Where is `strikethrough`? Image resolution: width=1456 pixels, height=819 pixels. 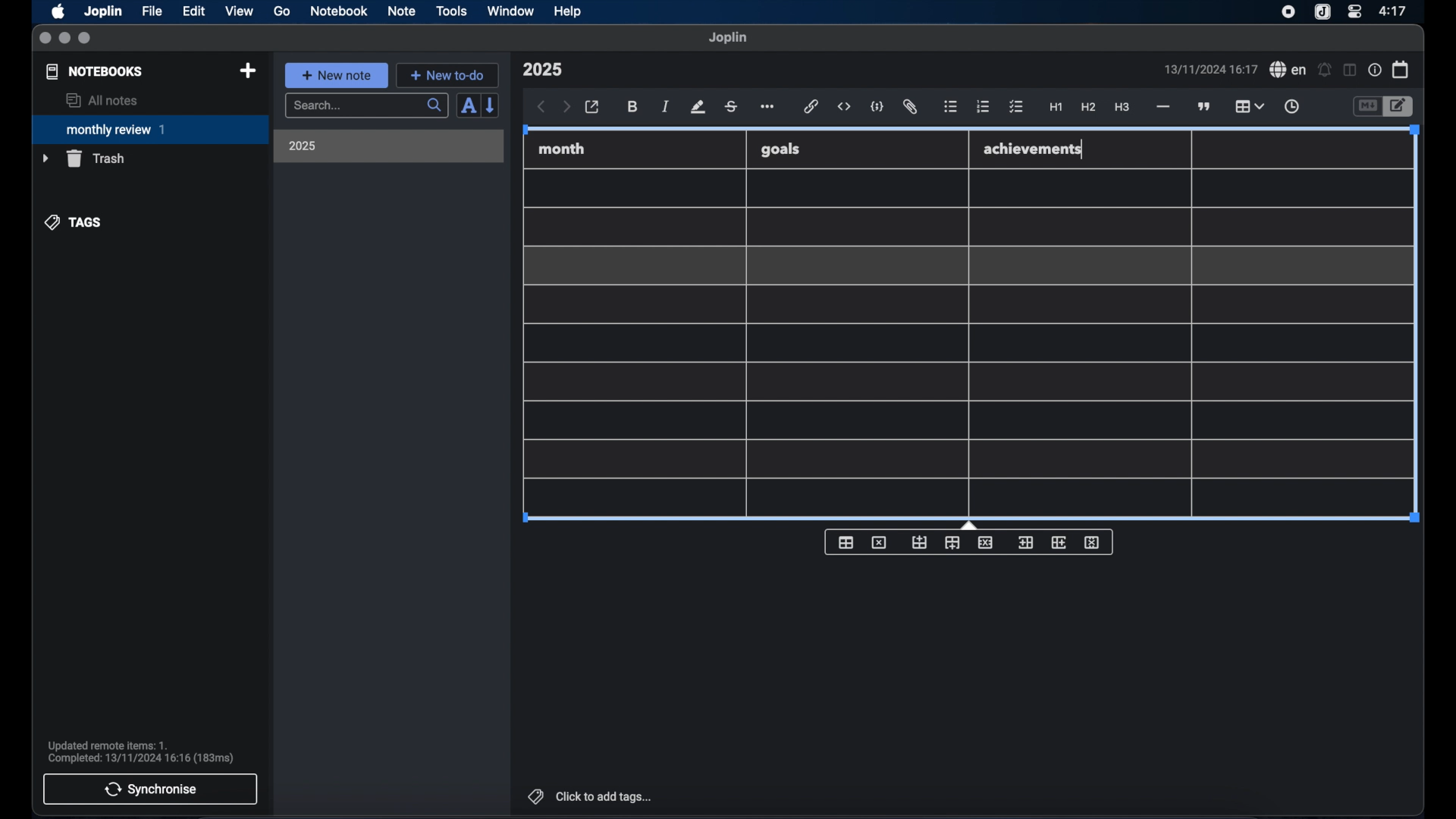 strikethrough is located at coordinates (730, 107).